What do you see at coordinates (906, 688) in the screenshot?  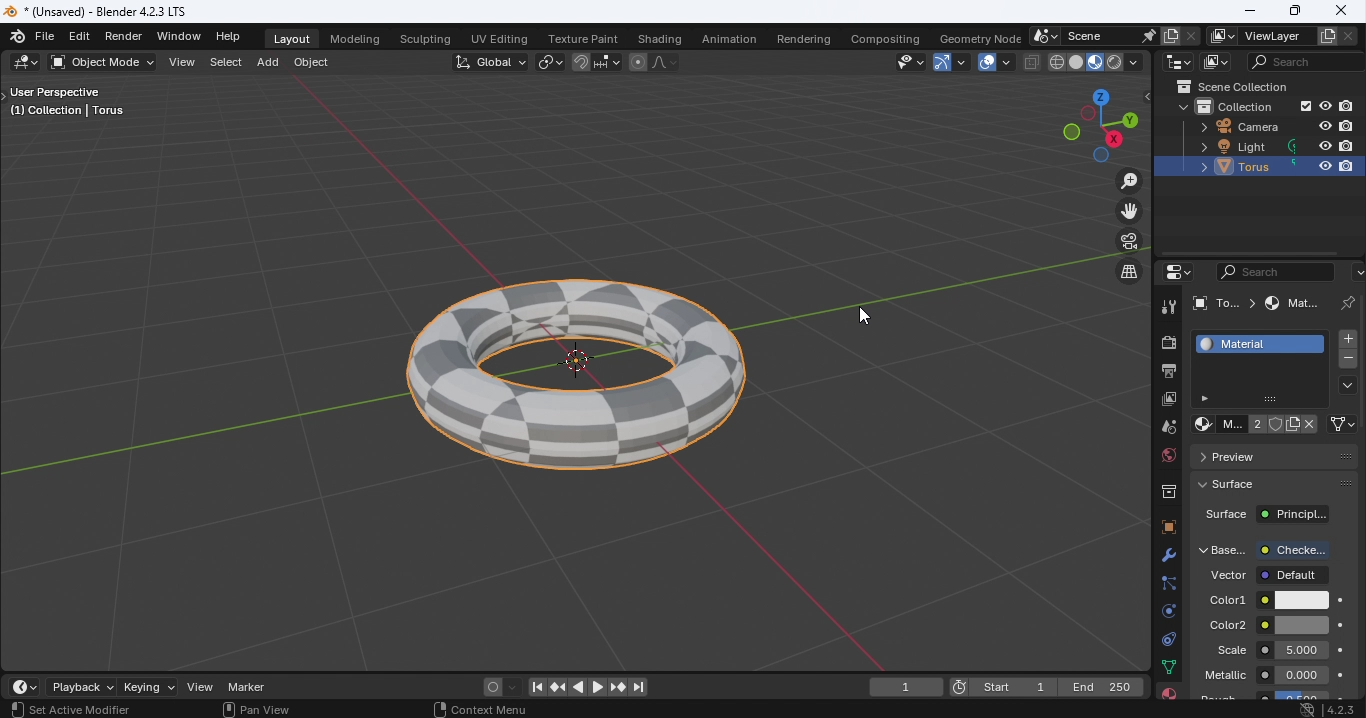 I see `current frame` at bounding box center [906, 688].